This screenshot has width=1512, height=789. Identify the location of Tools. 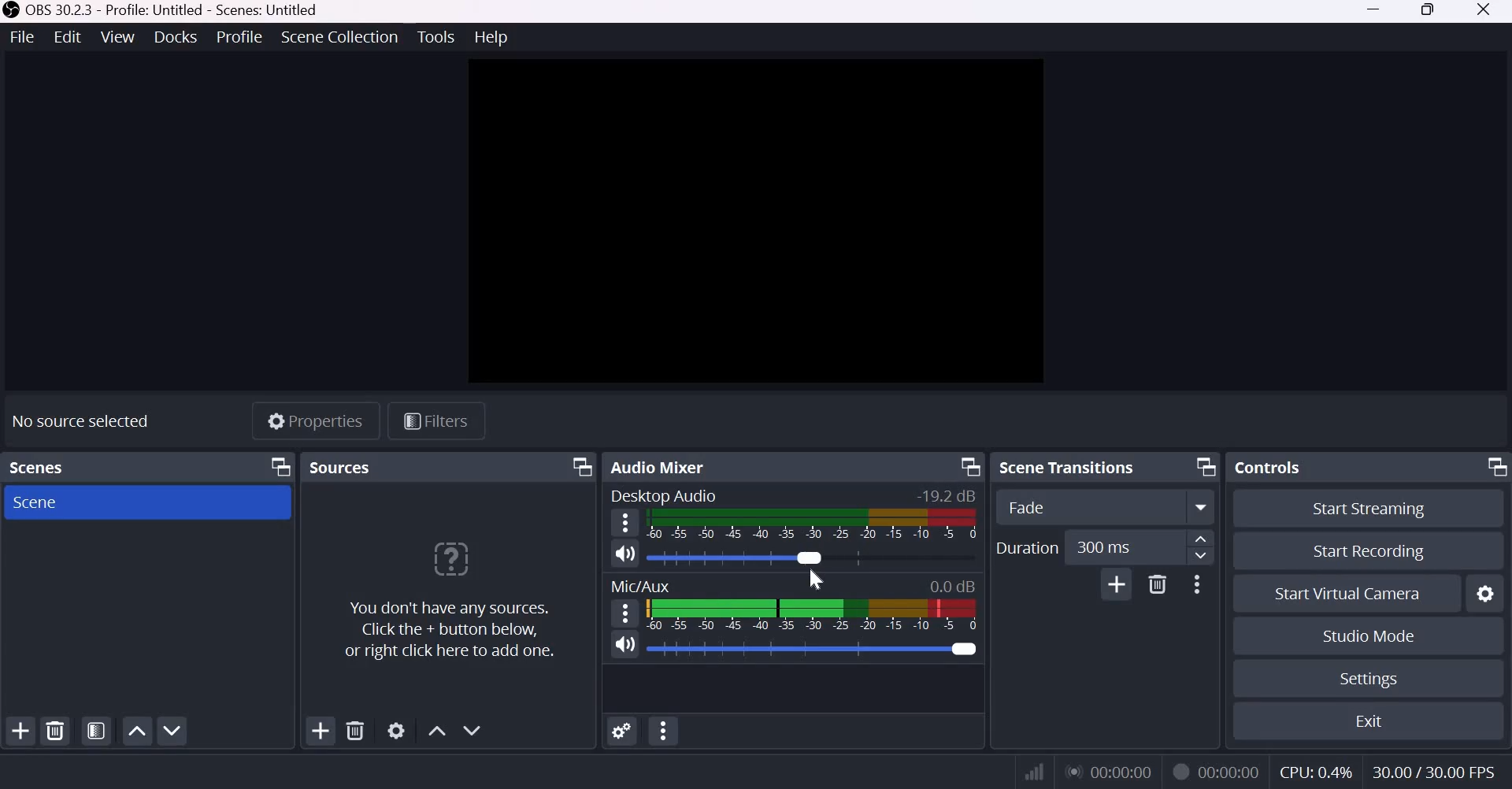
(436, 37).